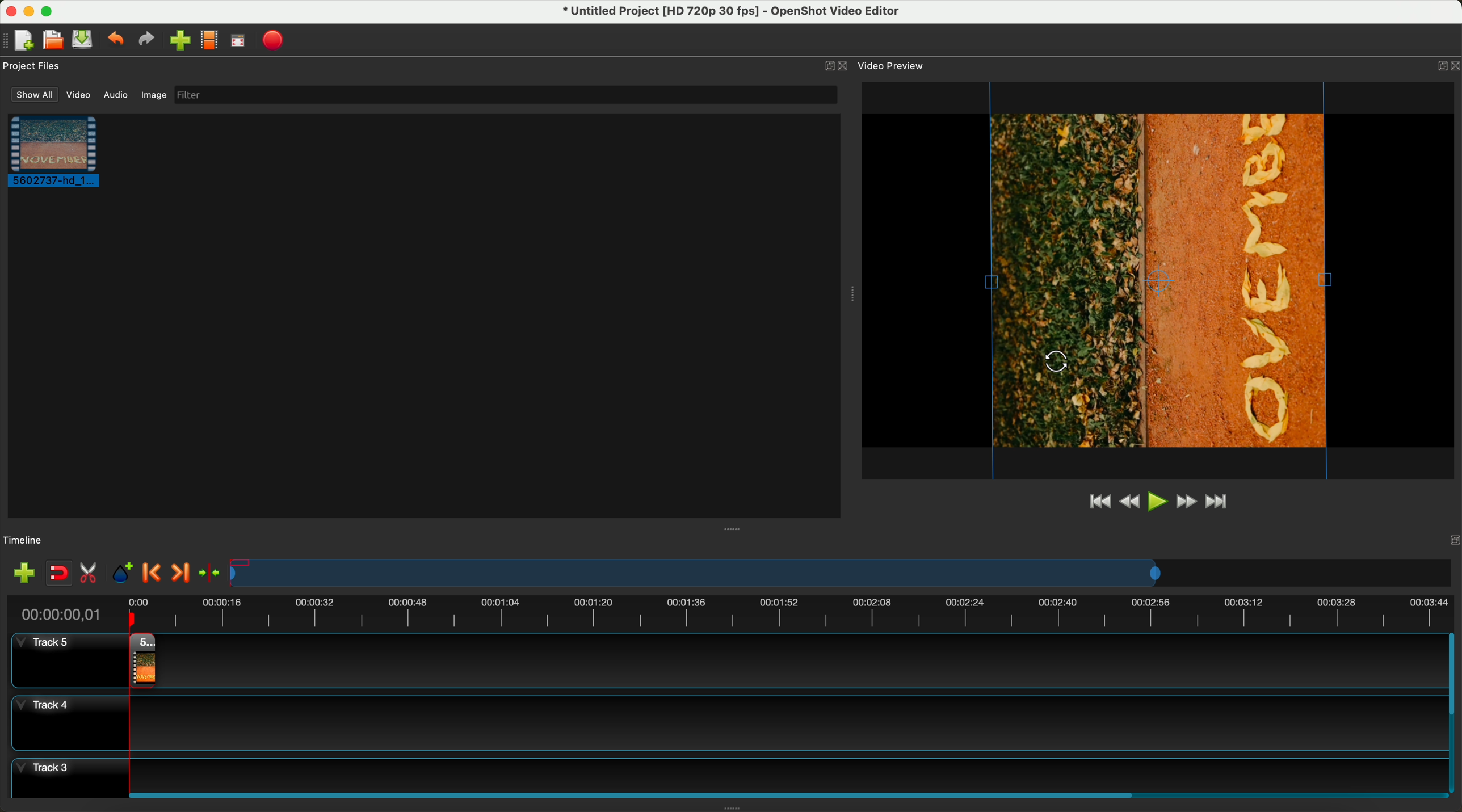  What do you see at coordinates (237, 41) in the screenshot?
I see `fullscreen` at bounding box center [237, 41].